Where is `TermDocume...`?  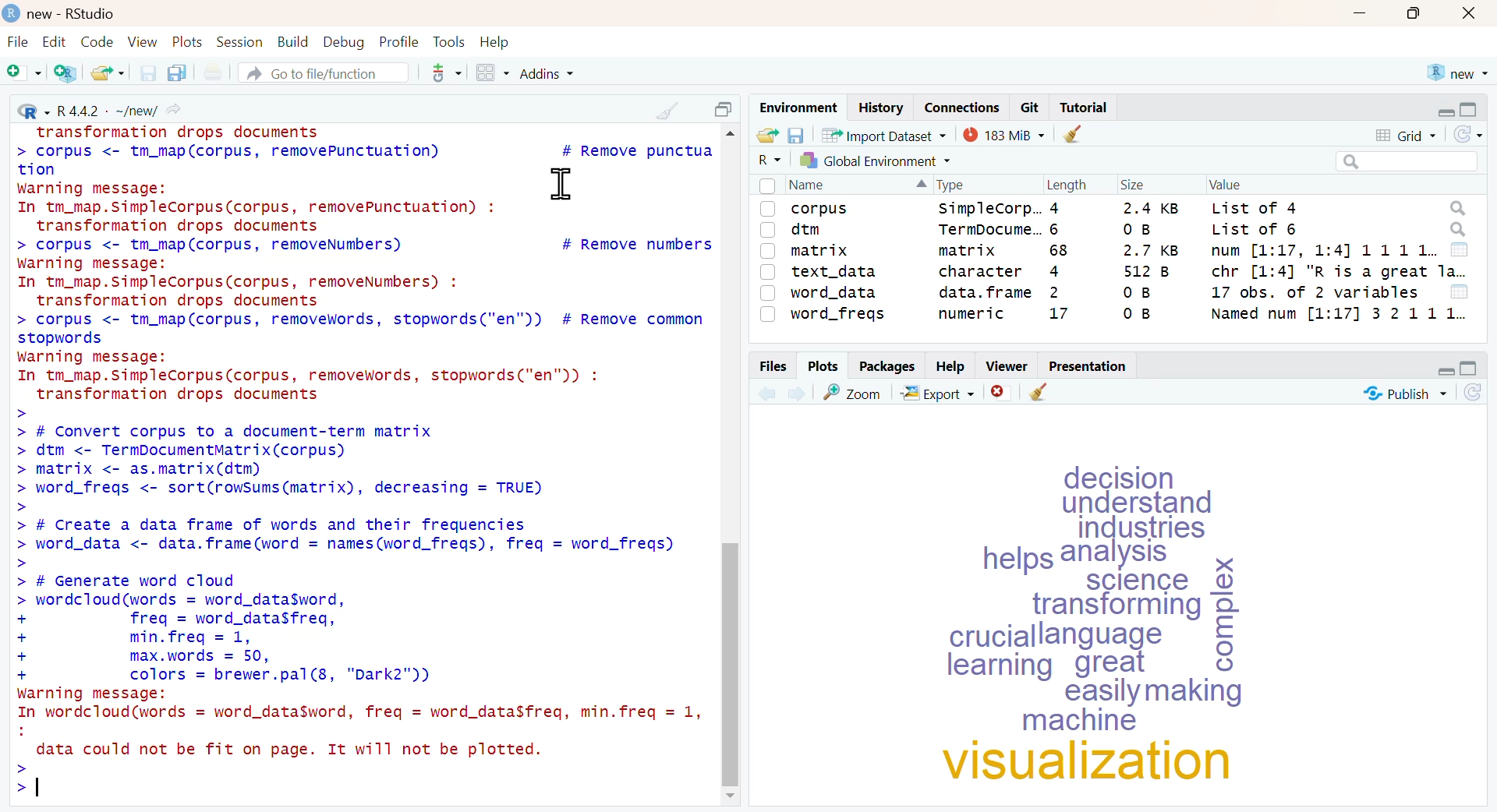
TermDocume... is located at coordinates (989, 229).